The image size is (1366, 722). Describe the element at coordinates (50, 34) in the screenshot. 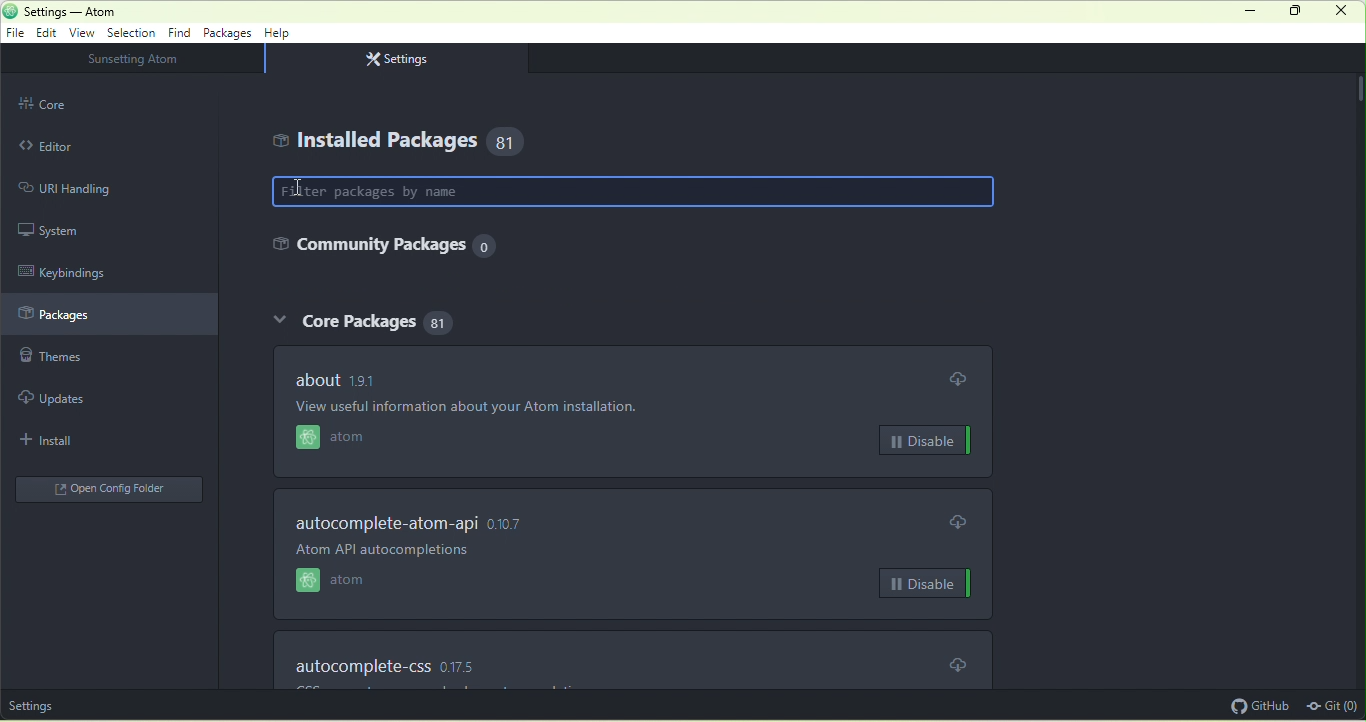

I see `edit` at that location.